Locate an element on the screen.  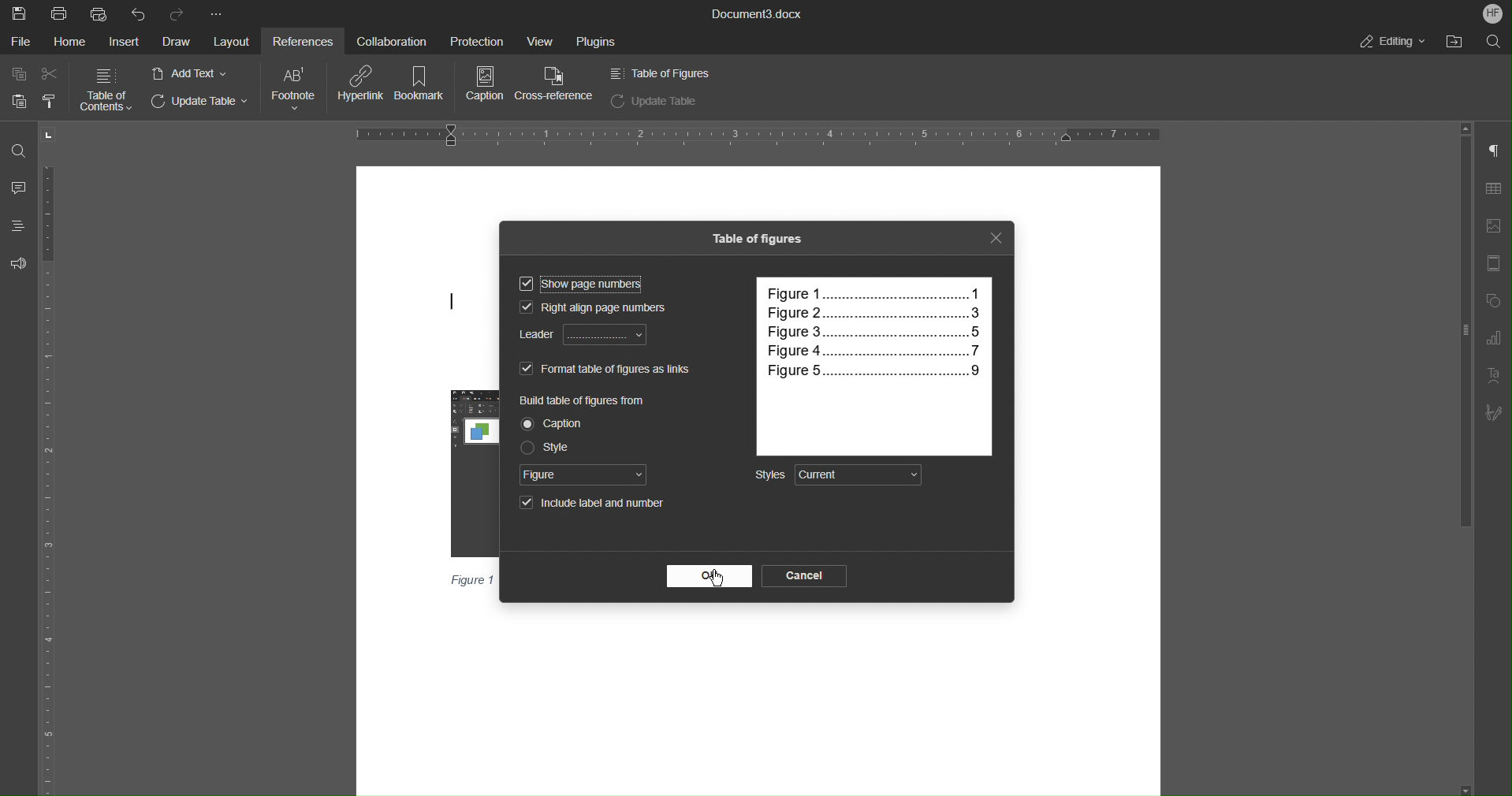
Vertical Ruler is located at coordinates (50, 478).